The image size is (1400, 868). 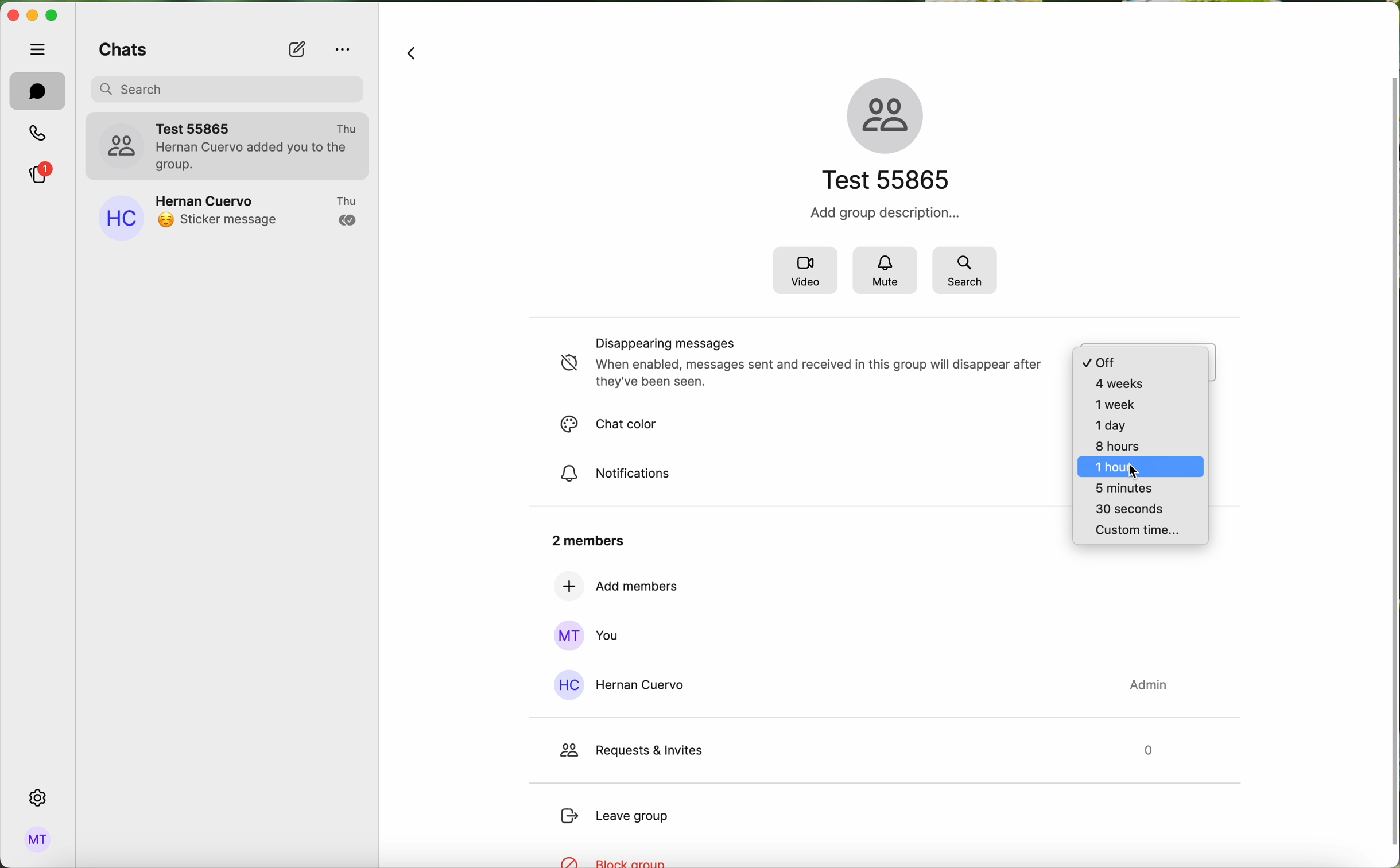 What do you see at coordinates (612, 425) in the screenshot?
I see `chat color` at bounding box center [612, 425].